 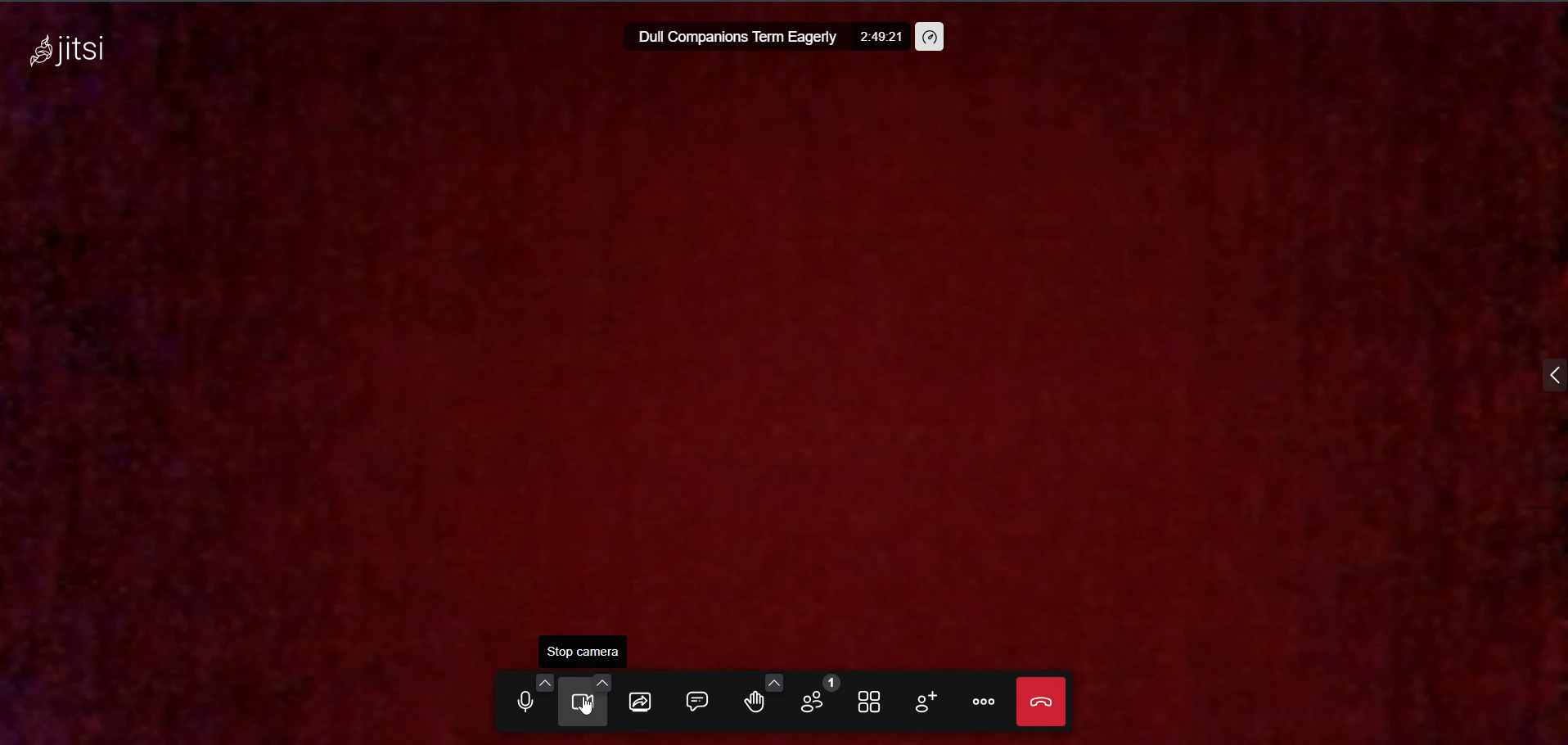 I want to click on more, so click(x=981, y=702).